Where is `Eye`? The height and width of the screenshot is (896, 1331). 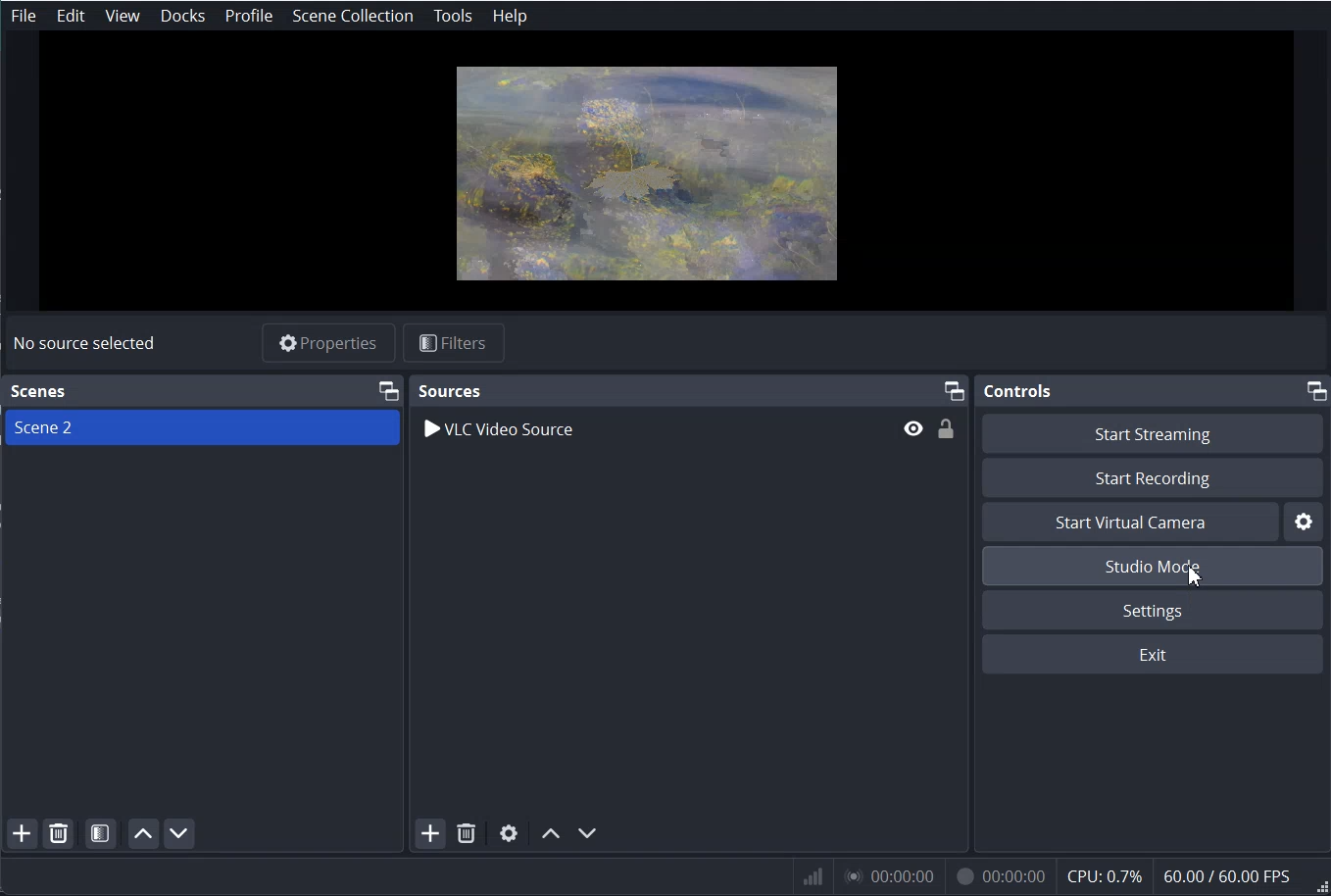
Eye is located at coordinates (913, 427).